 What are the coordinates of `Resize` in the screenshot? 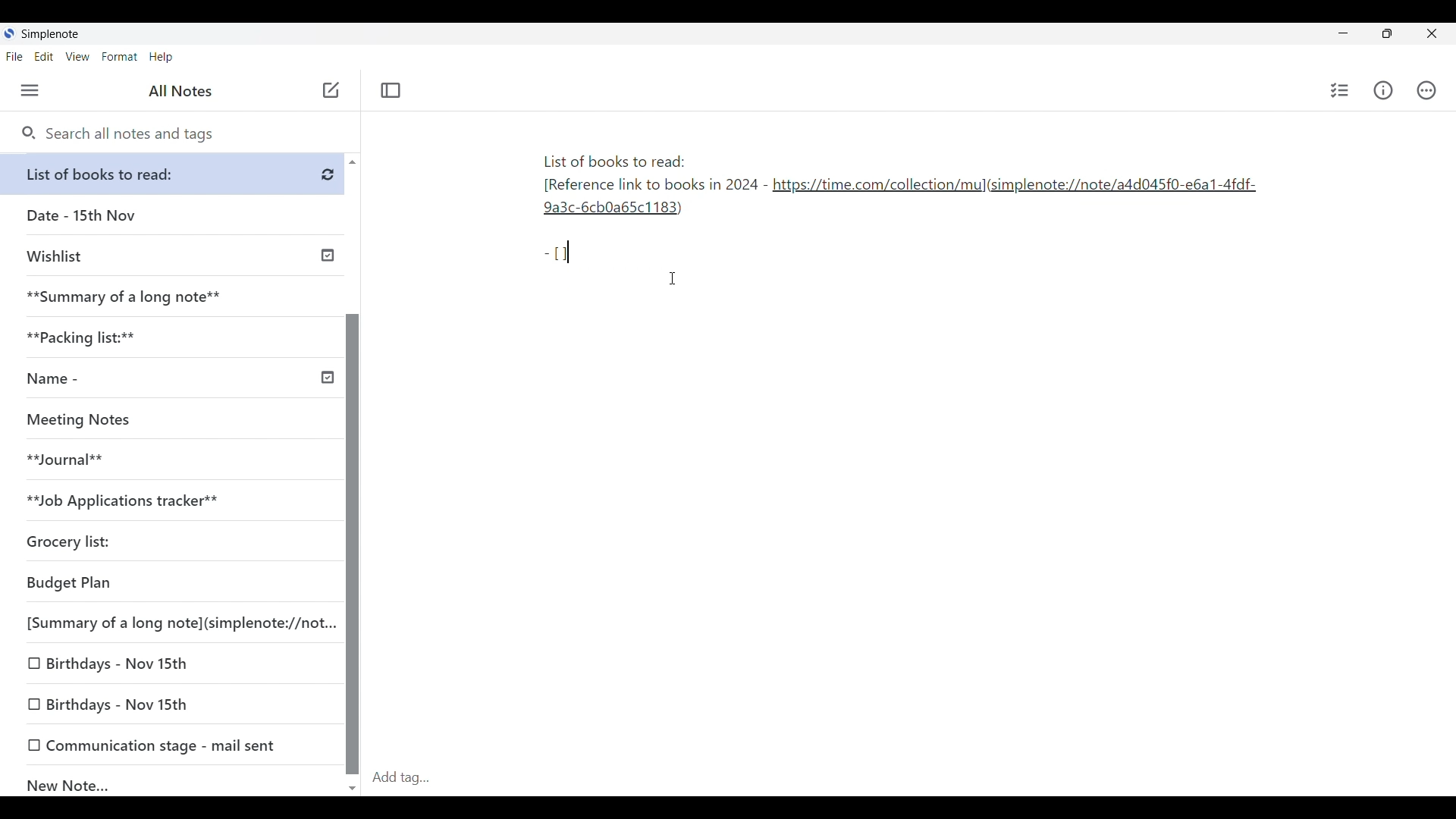 It's located at (1382, 35).